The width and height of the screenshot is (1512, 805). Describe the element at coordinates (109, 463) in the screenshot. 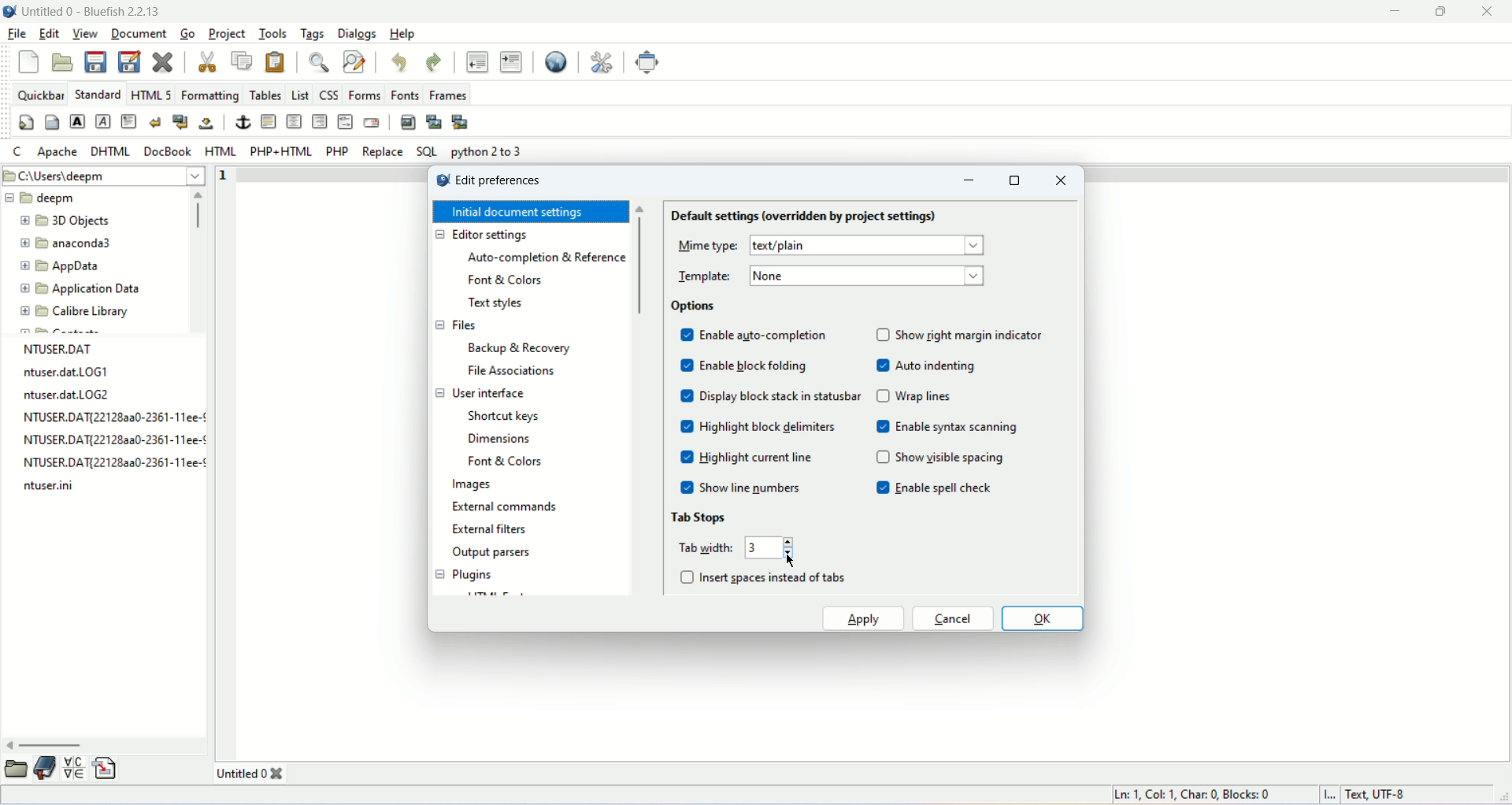

I see `NTUSER.DAT{22128aa0-2361-11ee-¢` at that location.